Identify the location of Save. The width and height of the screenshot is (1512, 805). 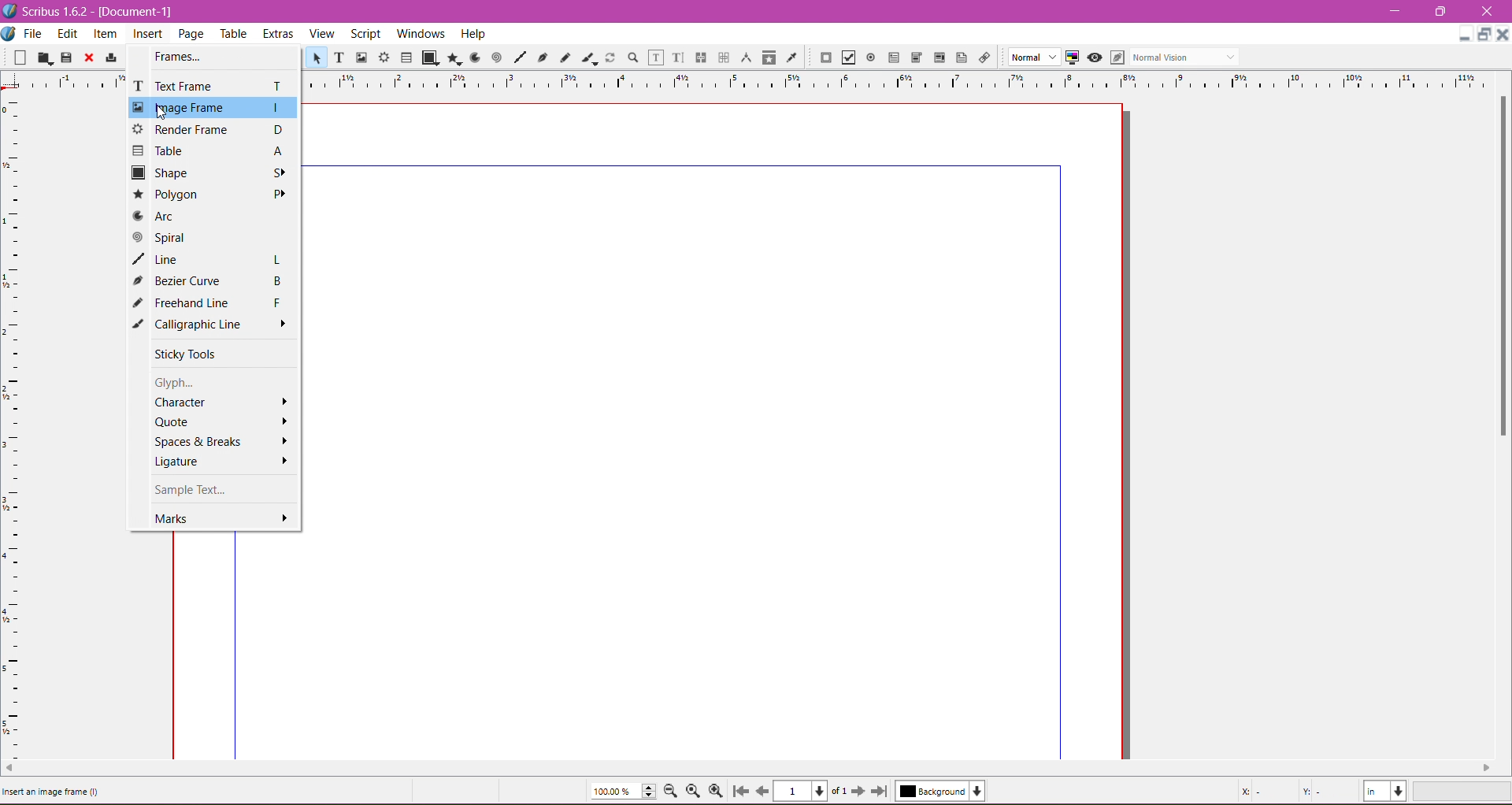
(67, 57).